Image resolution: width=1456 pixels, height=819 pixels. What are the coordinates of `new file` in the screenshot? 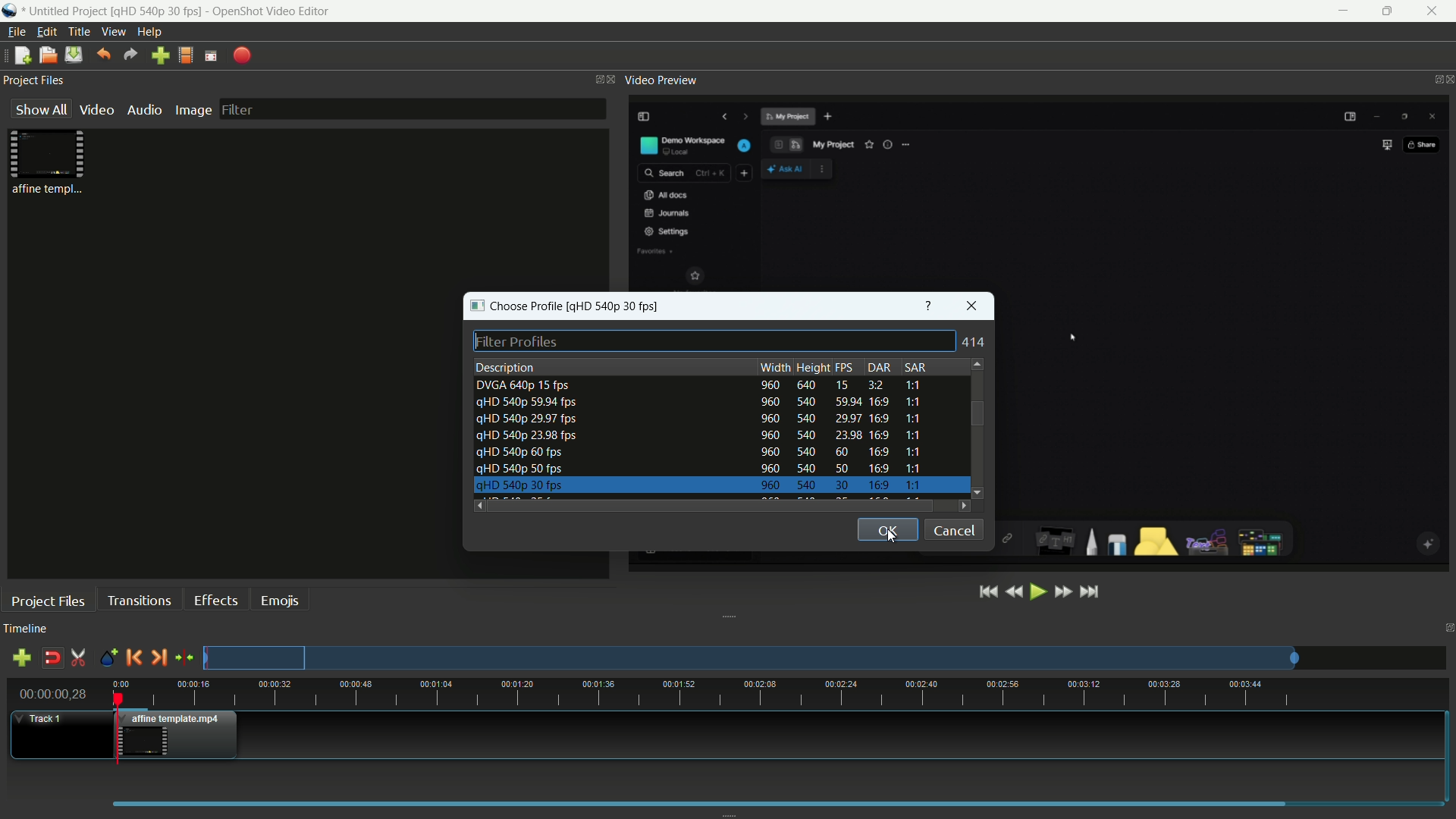 It's located at (20, 55).